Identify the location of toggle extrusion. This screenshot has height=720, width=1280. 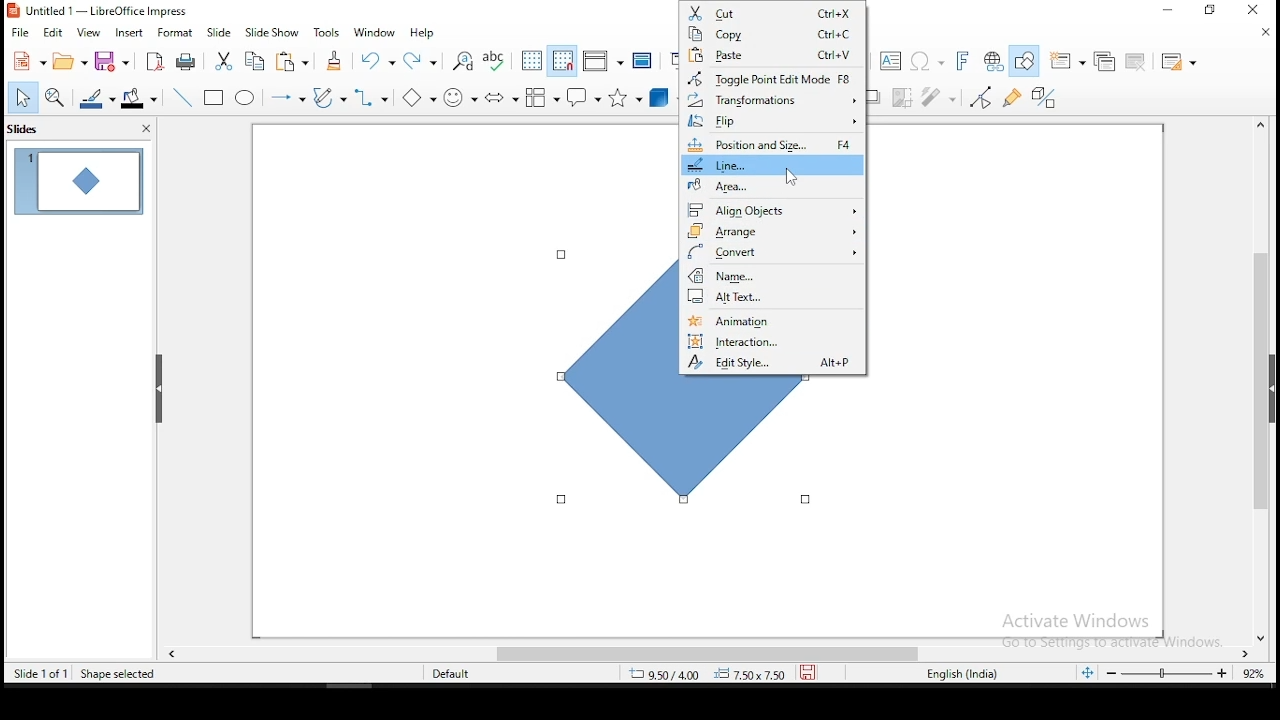
(1045, 99).